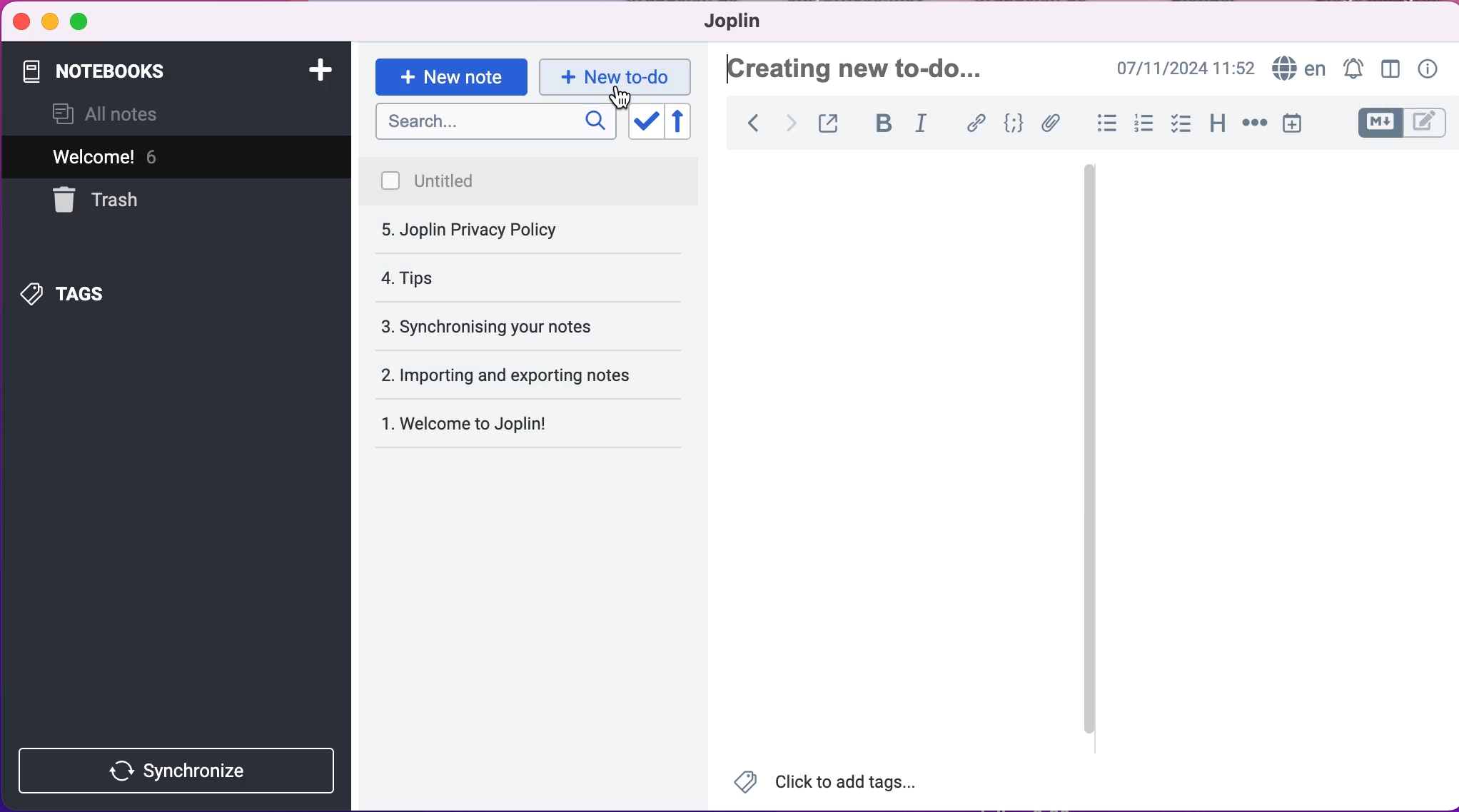 The width and height of the screenshot is (1459, 812). What do you see at coordinates (877, 67) in the screenshot?
I see `jolin privacy policy` at bounding box center [877, 67].